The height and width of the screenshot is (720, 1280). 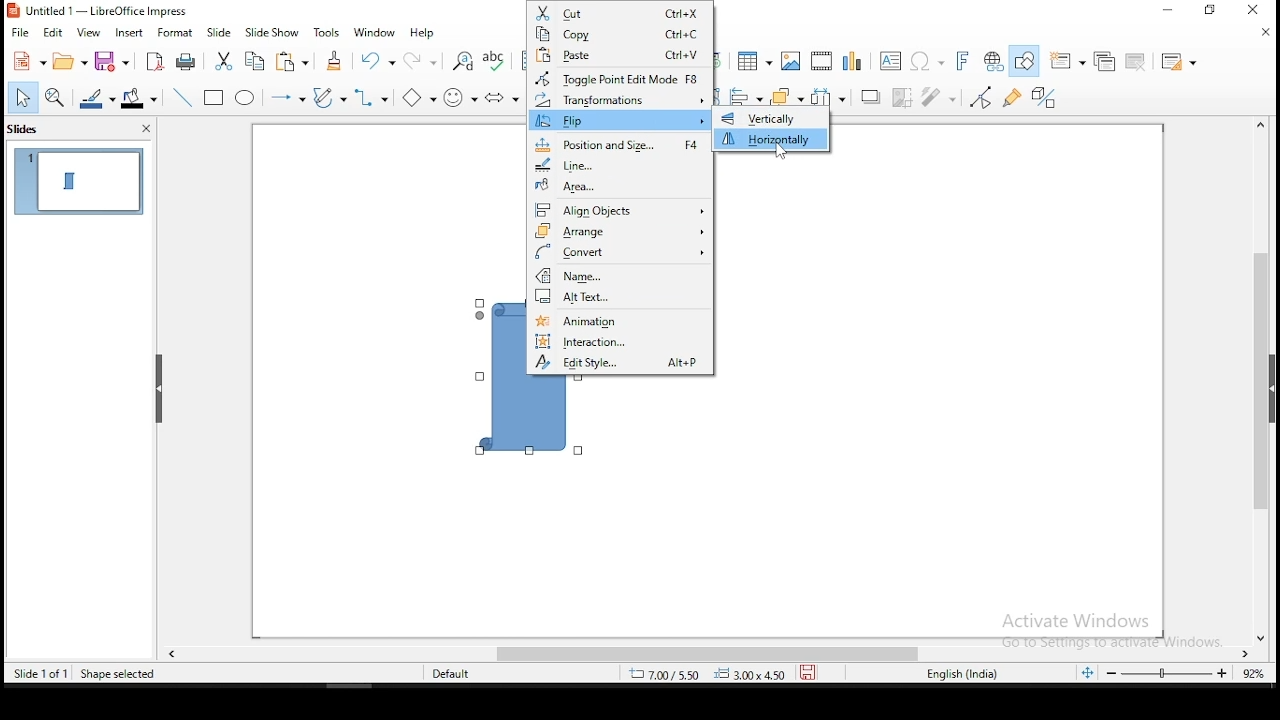 I want to click on shadow, so click(x=868, y=97).